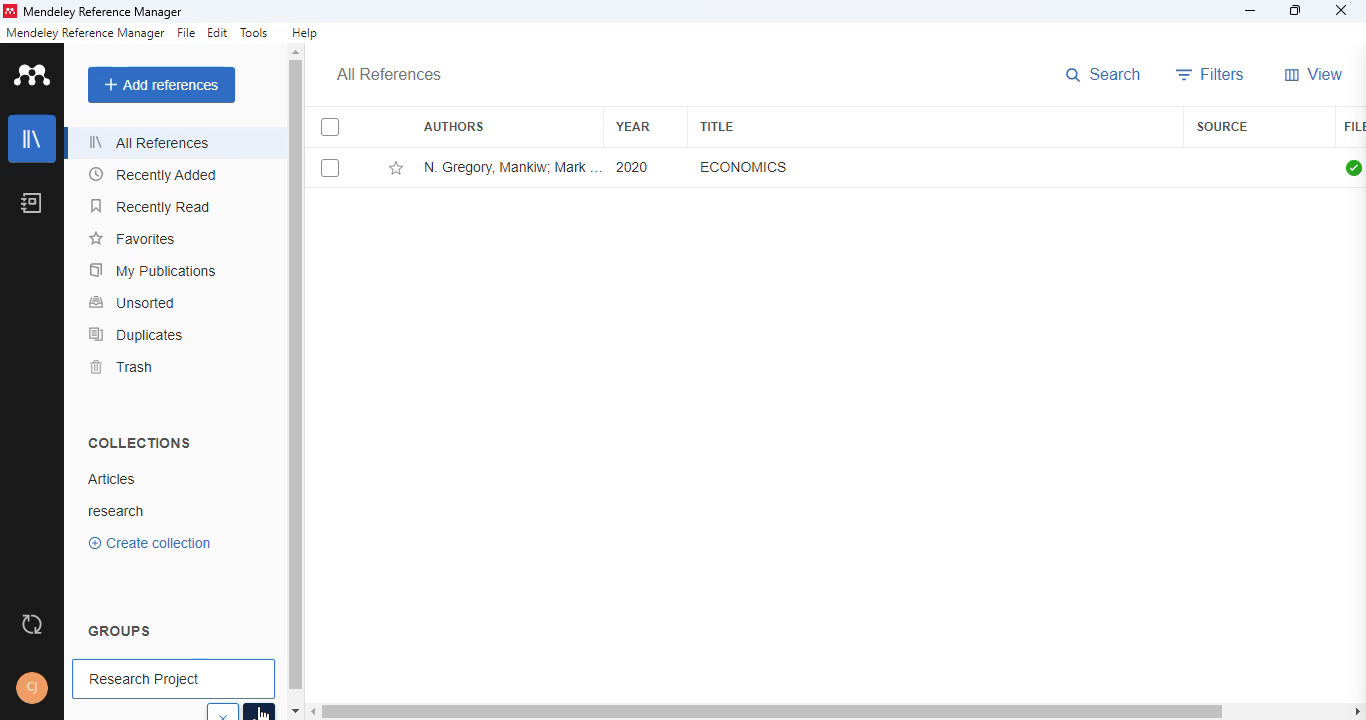  I want to click on mendeley reference manager, so click(85, 33).